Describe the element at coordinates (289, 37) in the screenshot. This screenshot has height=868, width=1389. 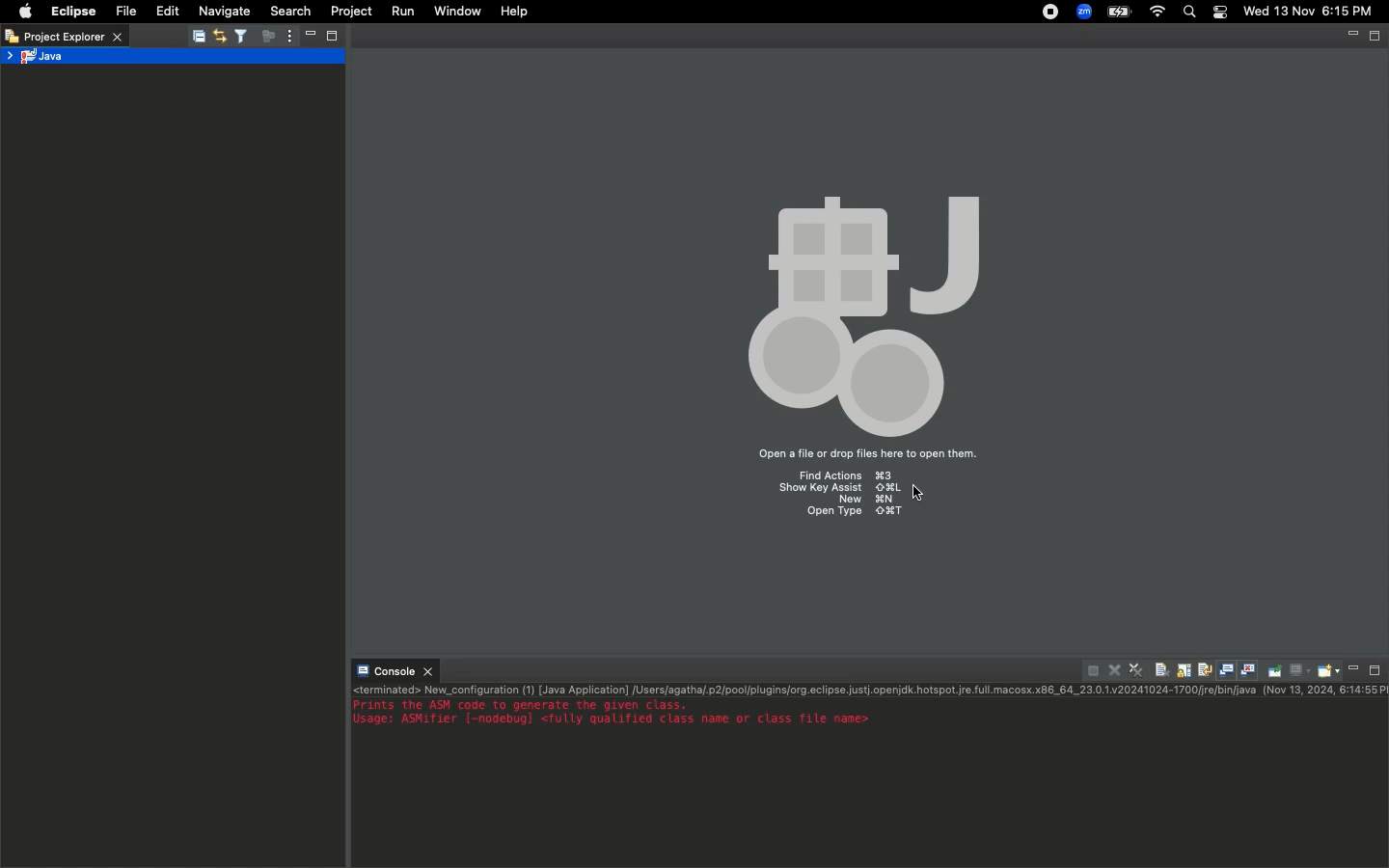
I see `View menu` at that location.